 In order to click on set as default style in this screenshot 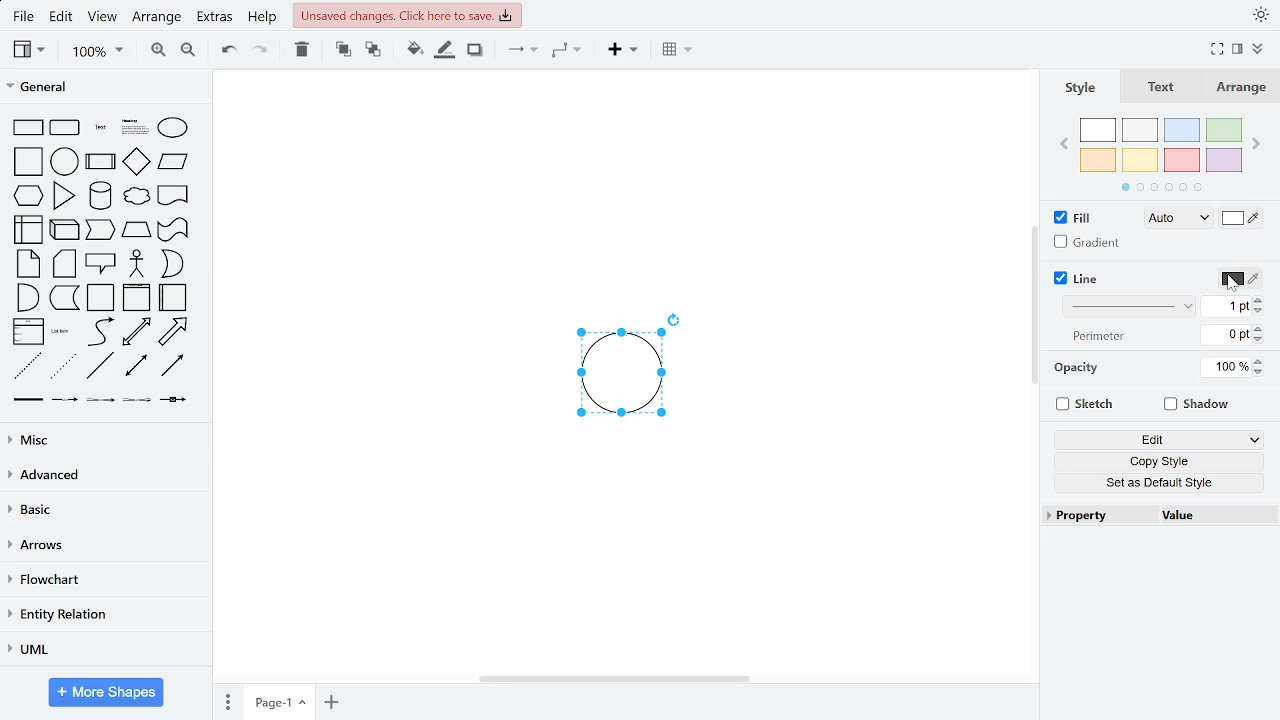, I will do `click(1158, 485)`.